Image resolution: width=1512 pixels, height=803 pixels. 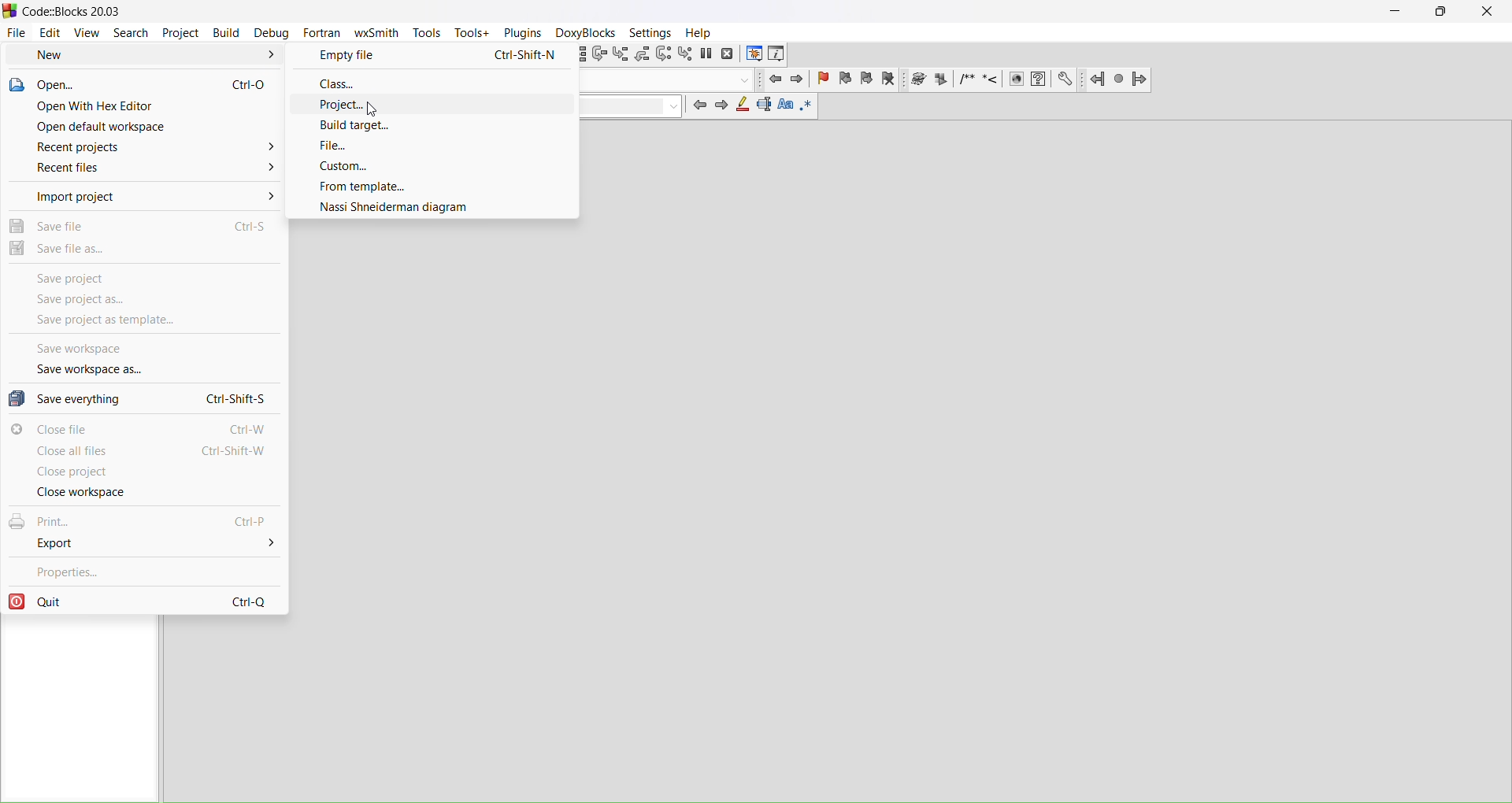 I want to click on next line, so click(x=598, y=54).